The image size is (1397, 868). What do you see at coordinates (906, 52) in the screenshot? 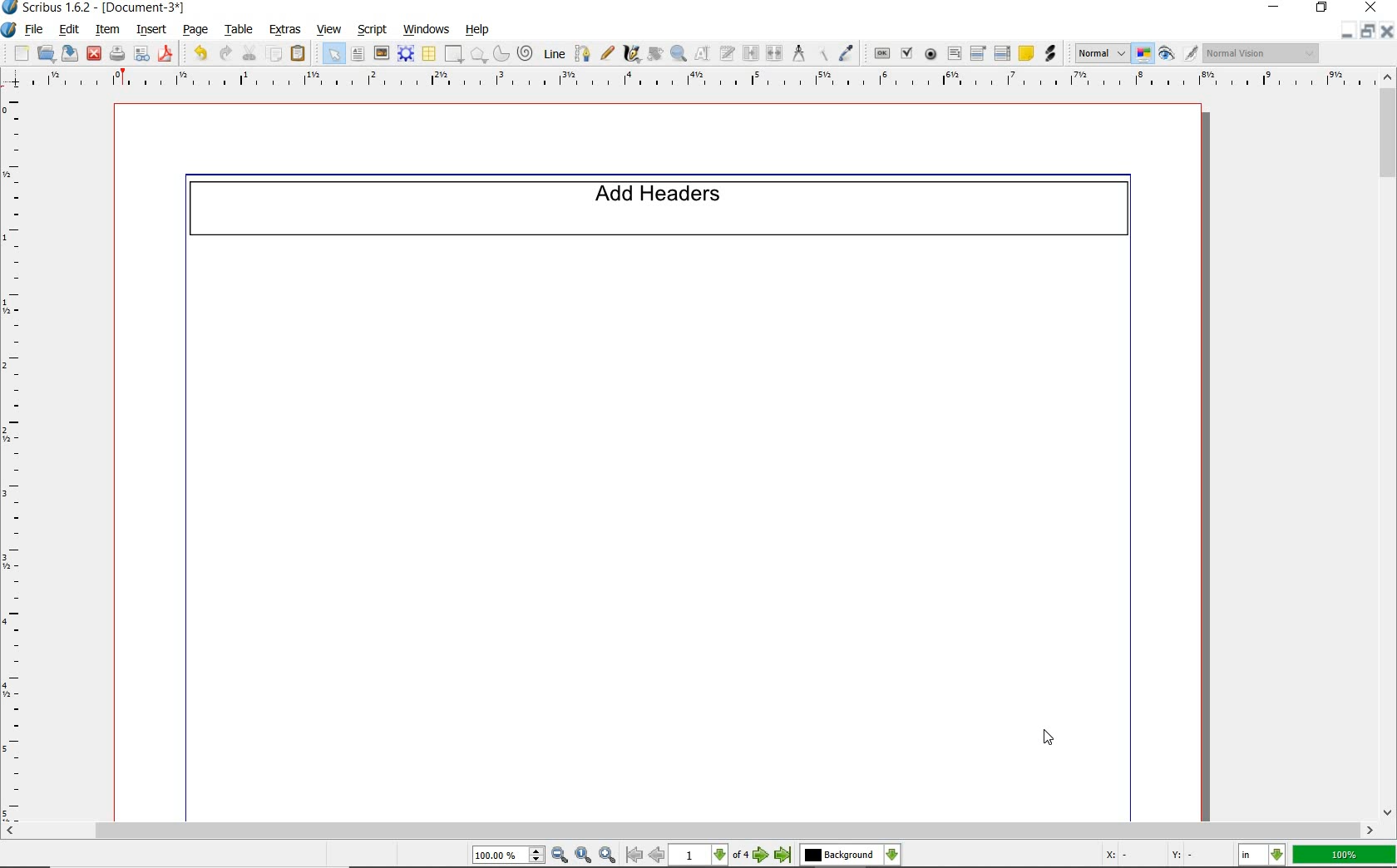
I see `pdf check box` at bounding box center [906, 52].